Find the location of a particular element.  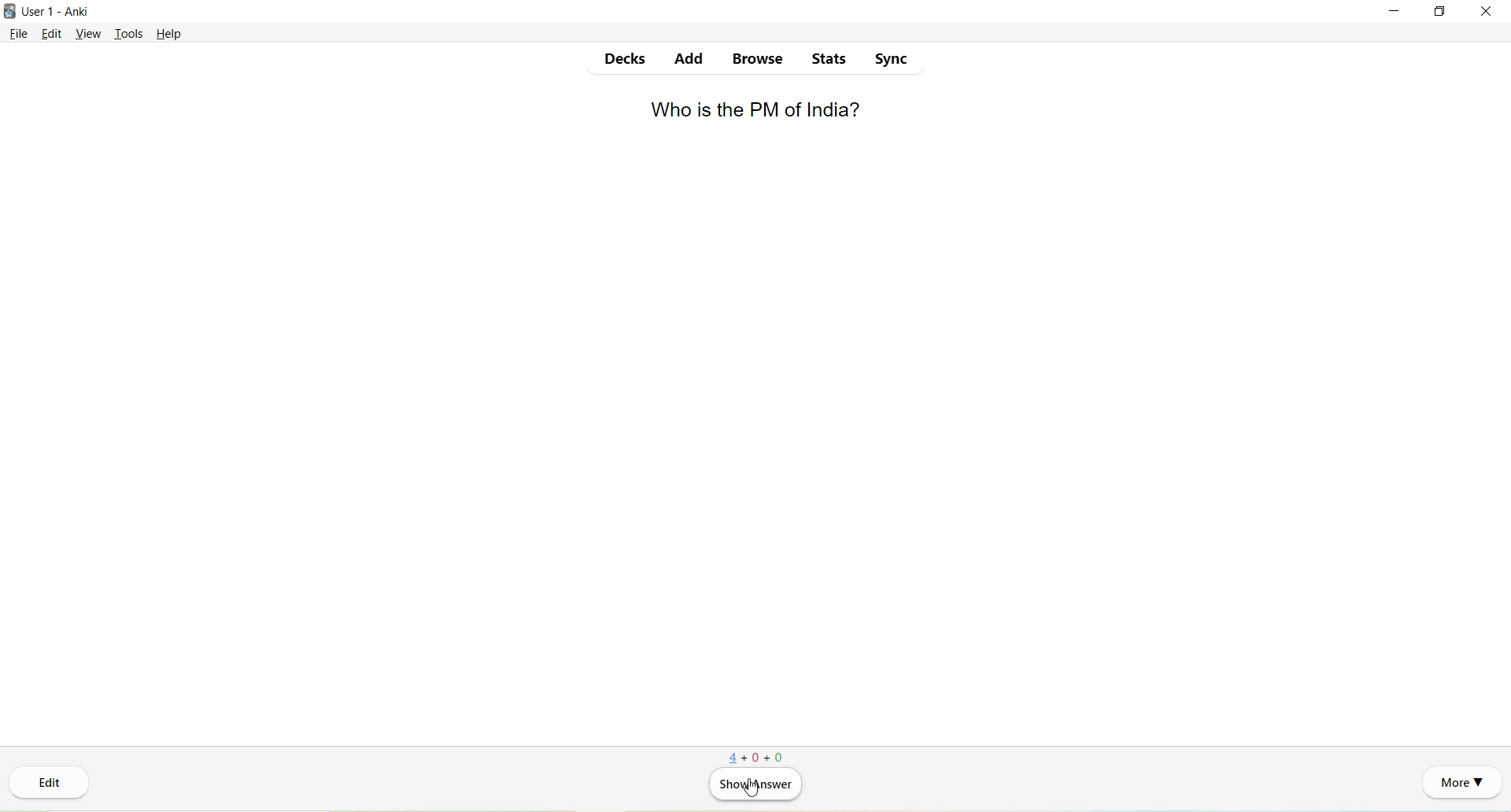

Sync is located at coordinates (891, 61).